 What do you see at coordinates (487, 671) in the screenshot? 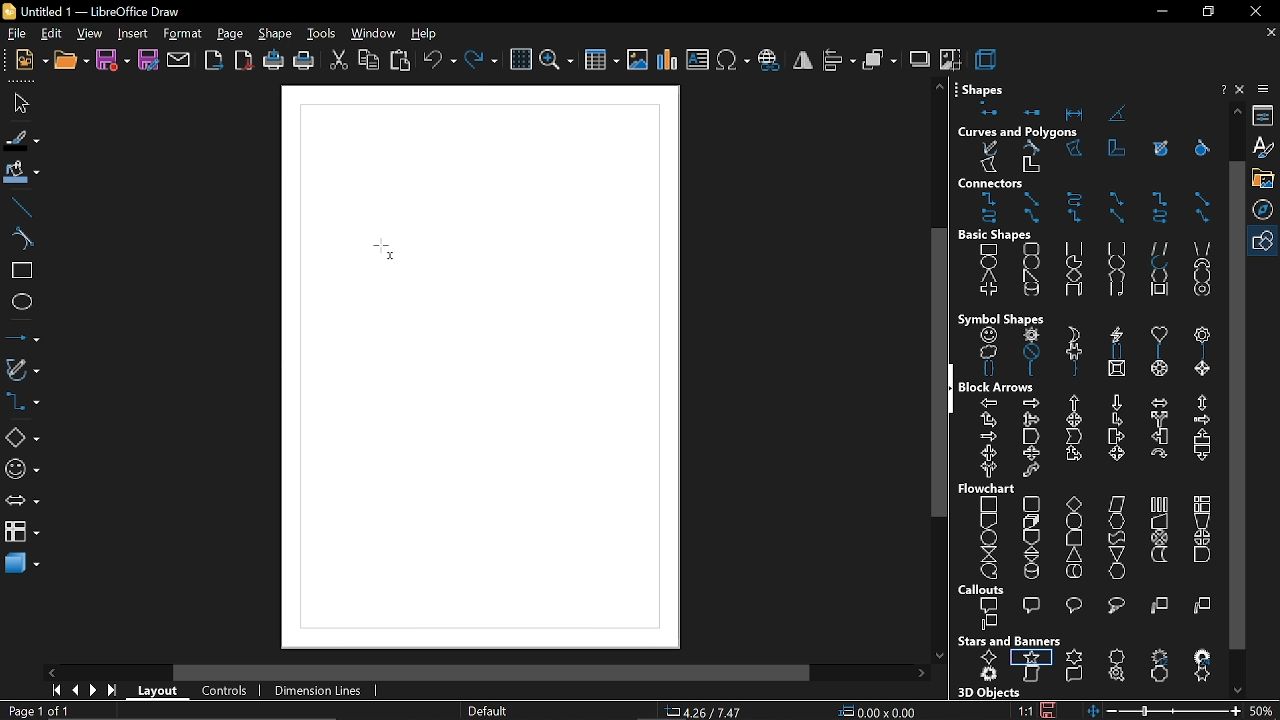
I see `horizontal scroll bar` at bounding box center [487, 671].